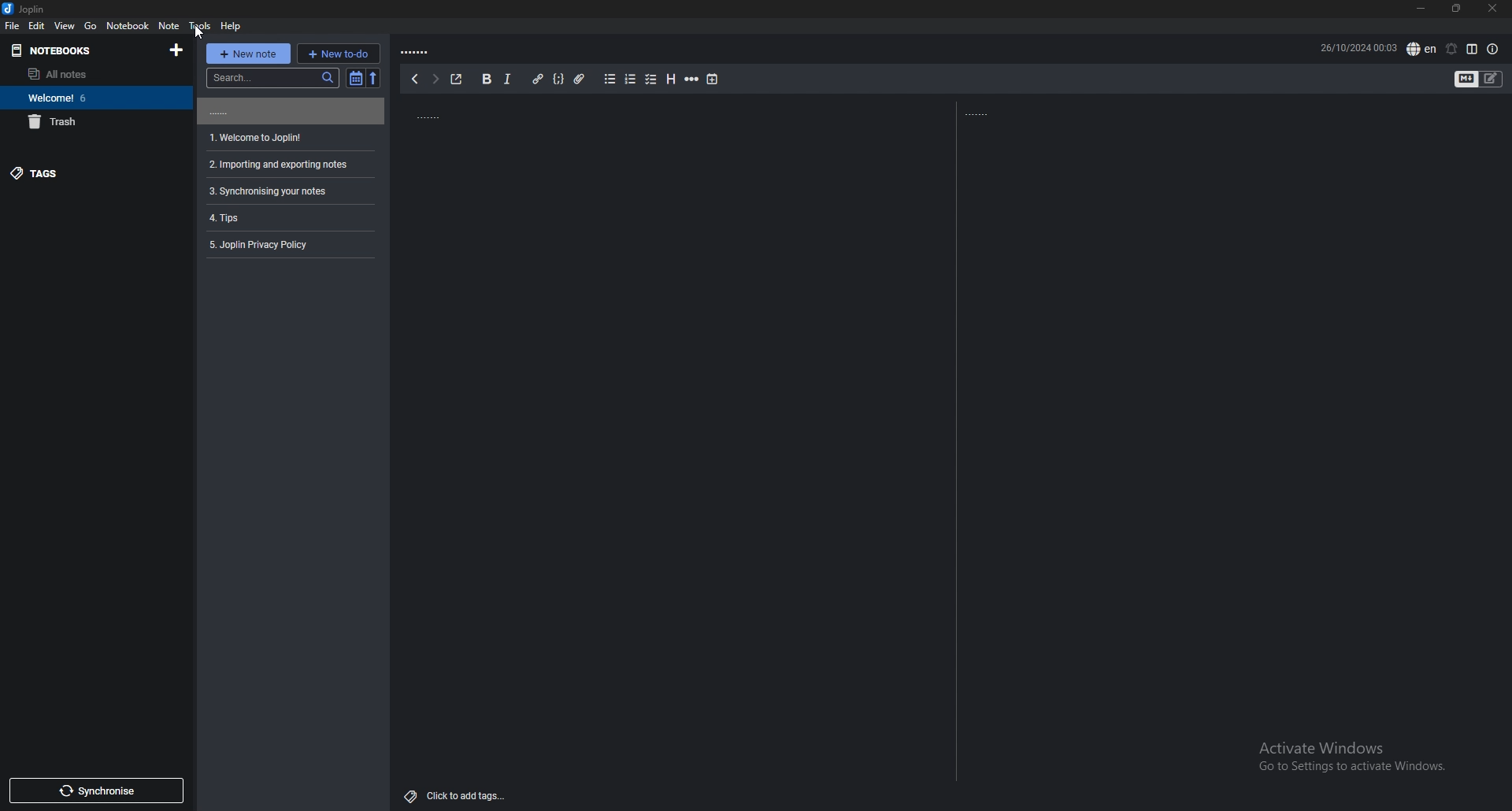 The width and height of the screenshot is (1512, 811). I want to click on file, so click(14, 26).